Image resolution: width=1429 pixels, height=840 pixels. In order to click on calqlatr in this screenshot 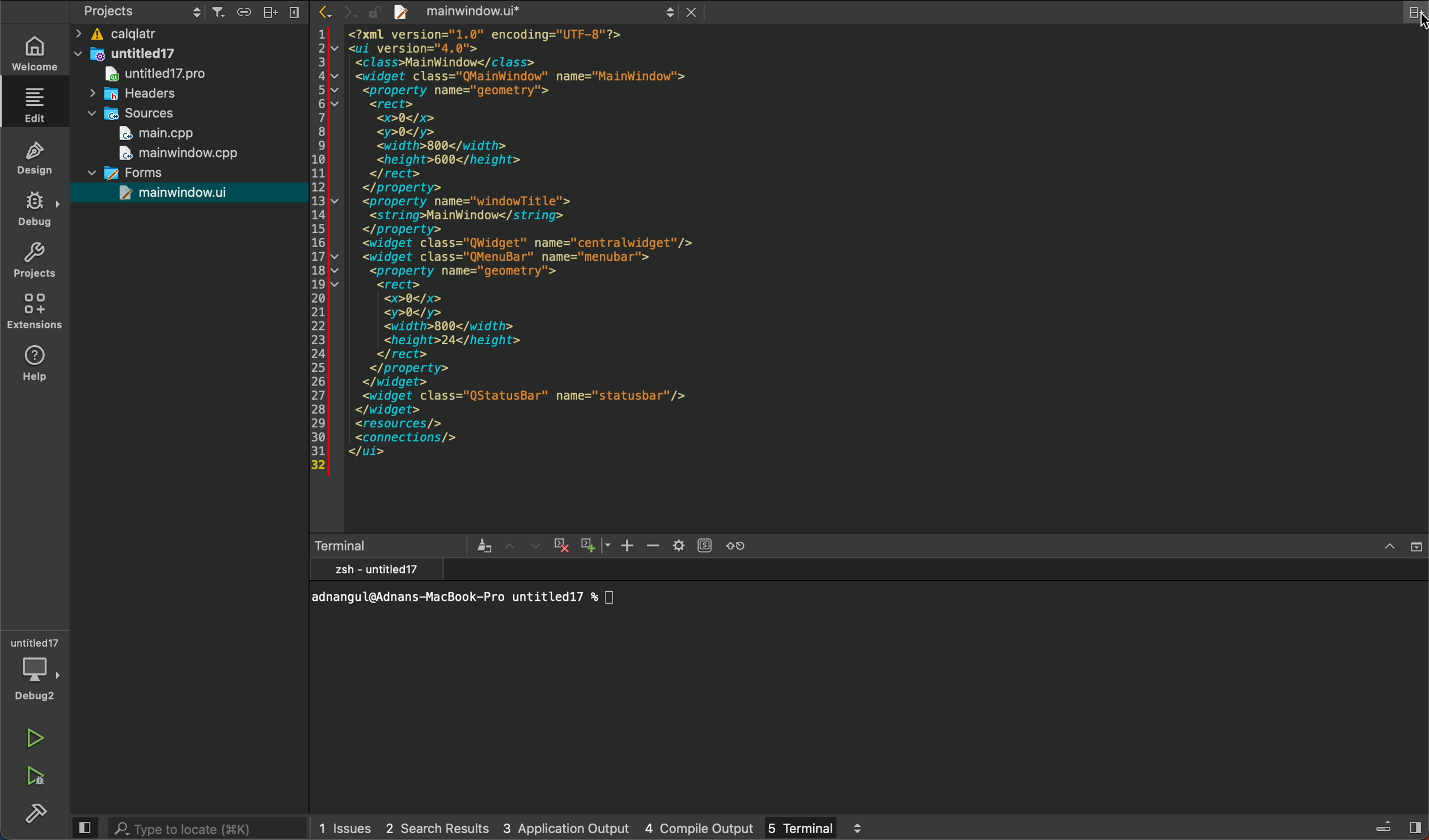, I will do `click(161, 35)`.